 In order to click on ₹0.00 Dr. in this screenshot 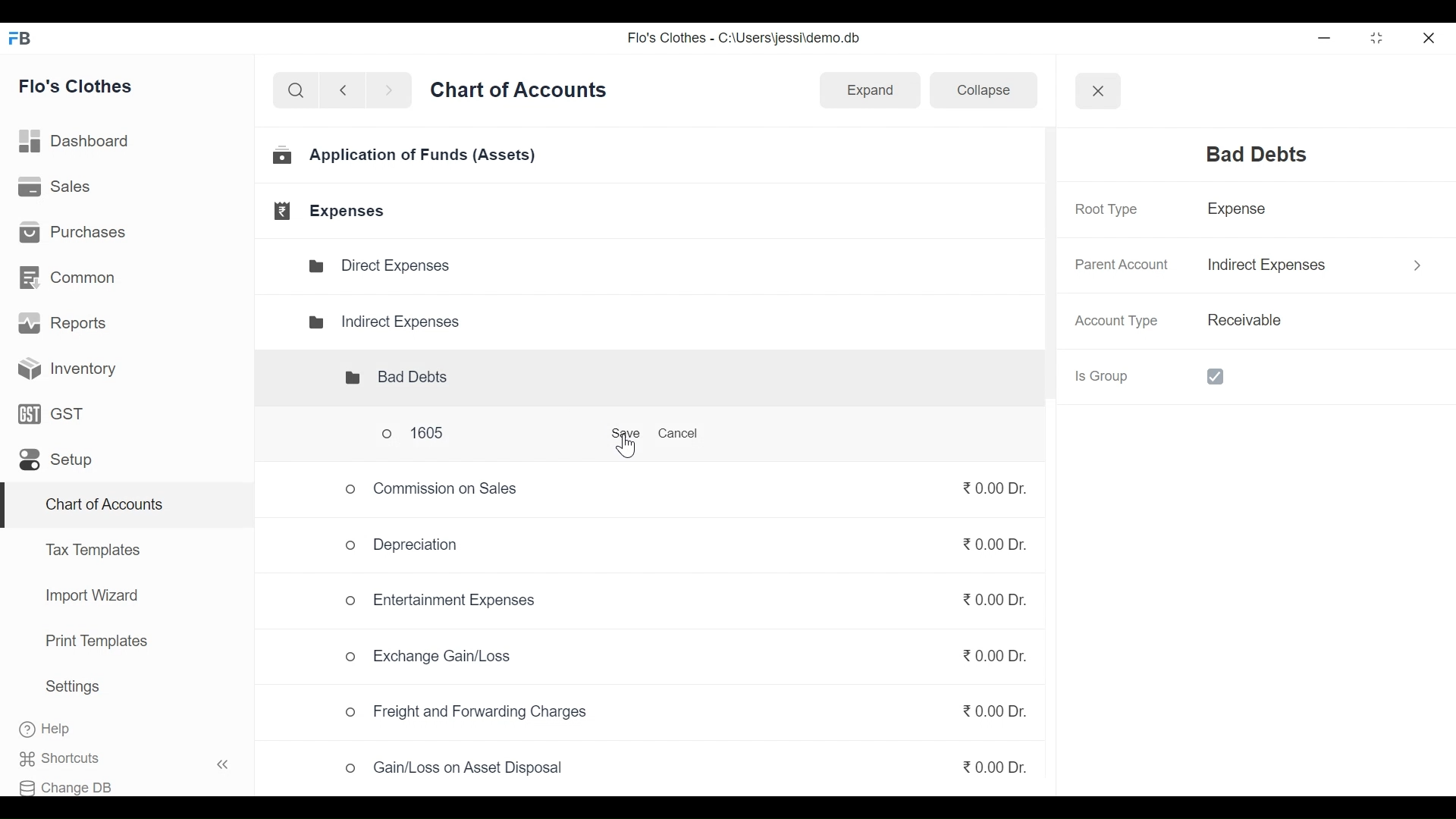, I will do `click(984, 661)`.